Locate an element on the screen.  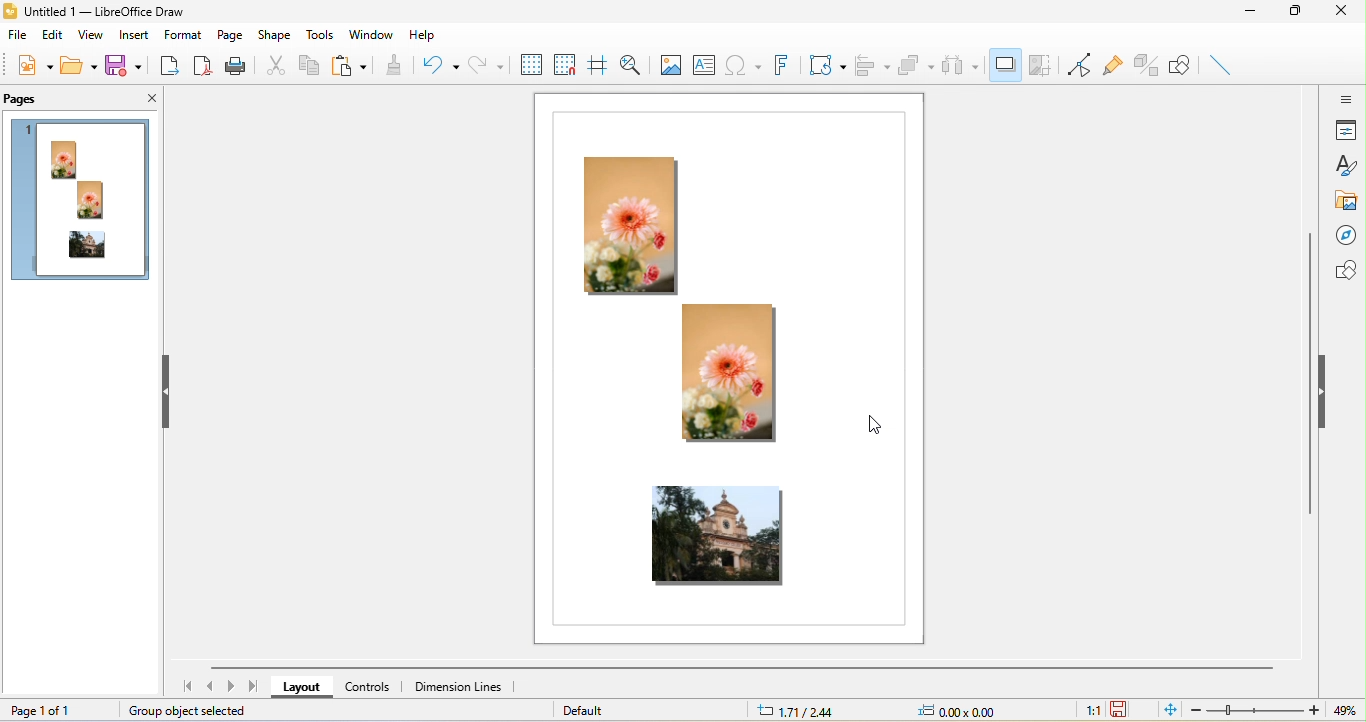
previous page is located at coordinates (213, 689).